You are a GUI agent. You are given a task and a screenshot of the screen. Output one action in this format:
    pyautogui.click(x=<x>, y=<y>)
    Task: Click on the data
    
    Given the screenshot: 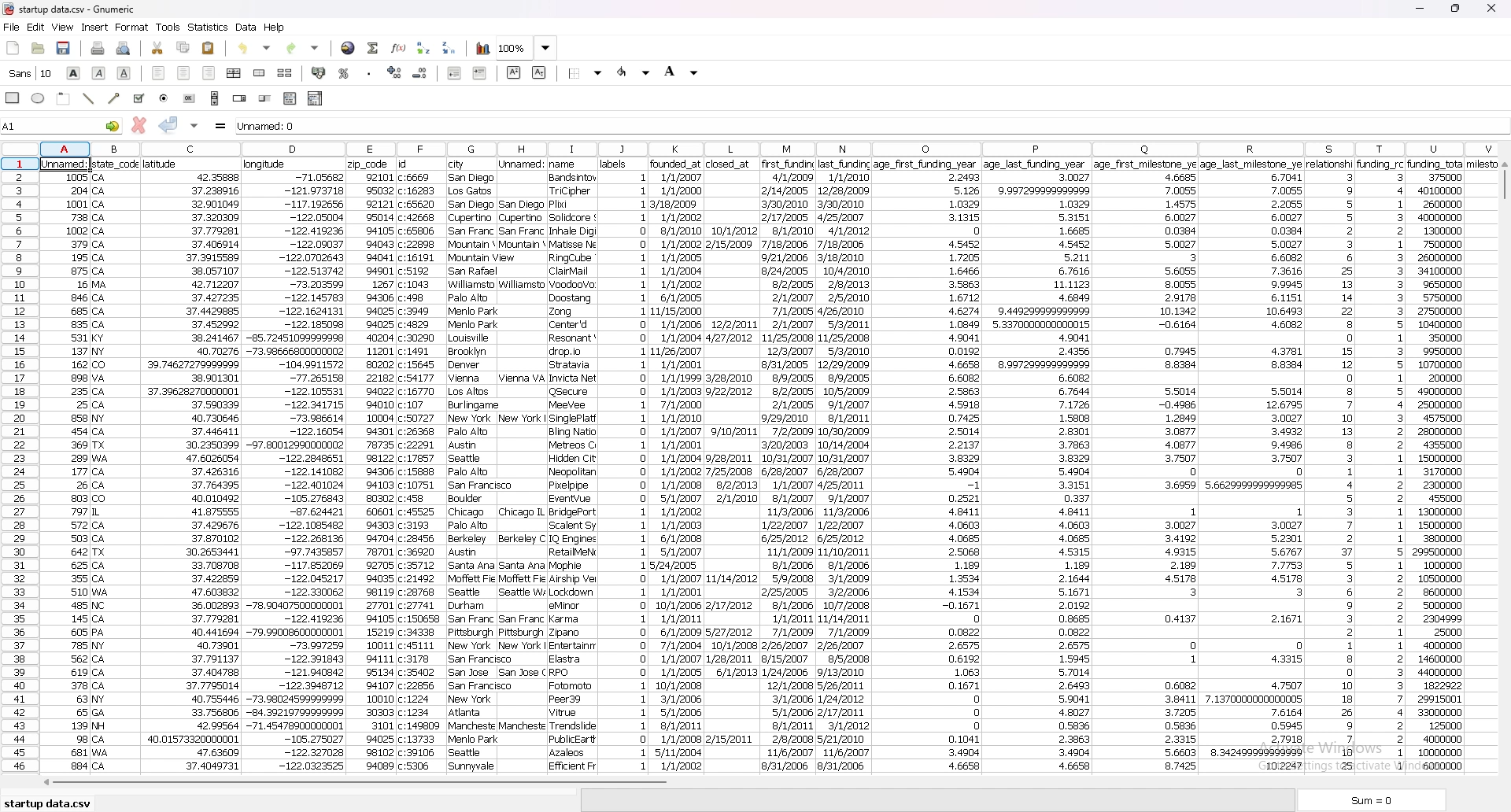 What is the action you would take?
    pyautogui.click(x=929, y=469)
    